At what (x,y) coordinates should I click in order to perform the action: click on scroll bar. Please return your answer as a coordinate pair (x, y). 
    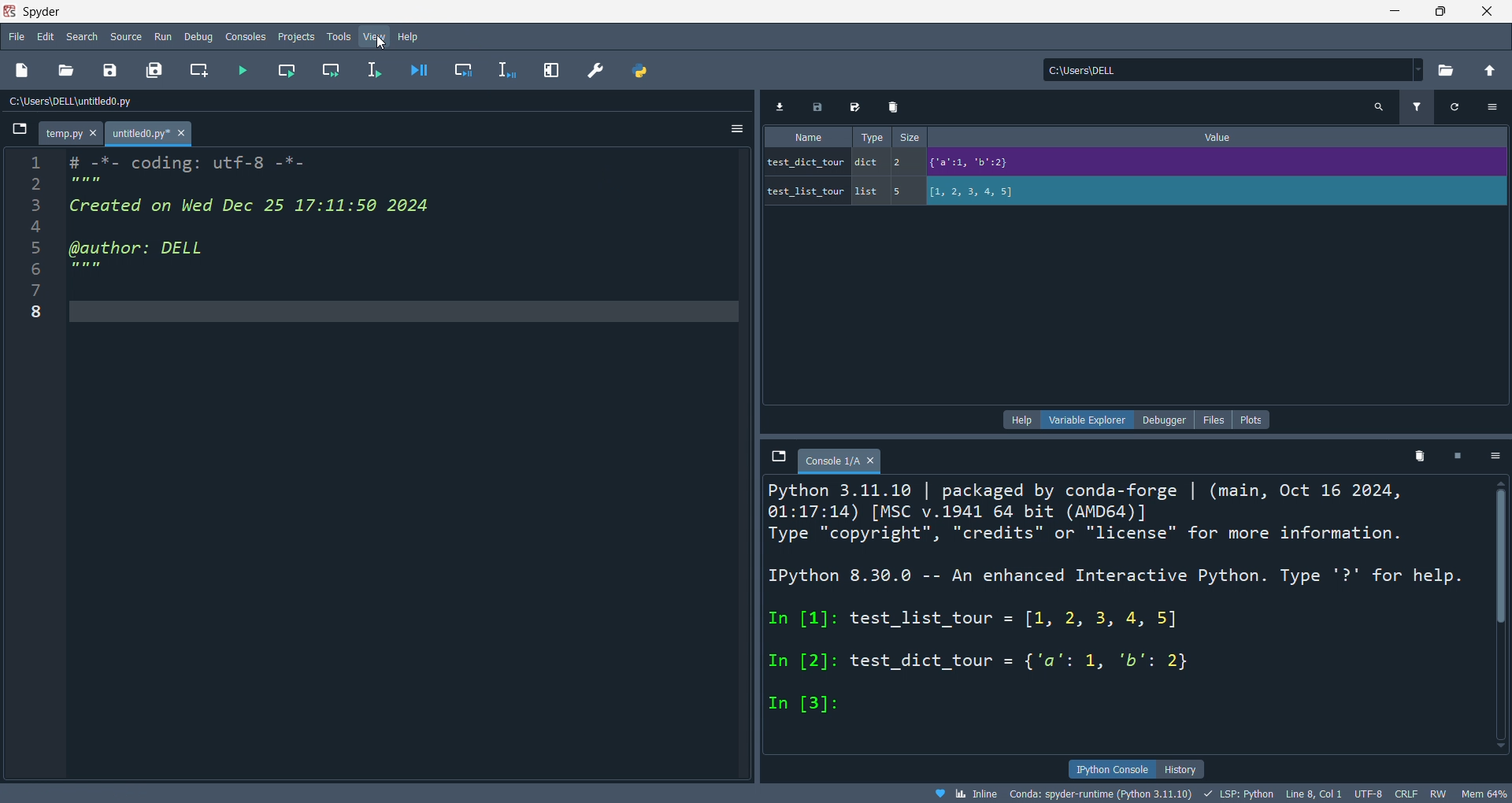
    Looking at the image, I should click on (1495, 612).